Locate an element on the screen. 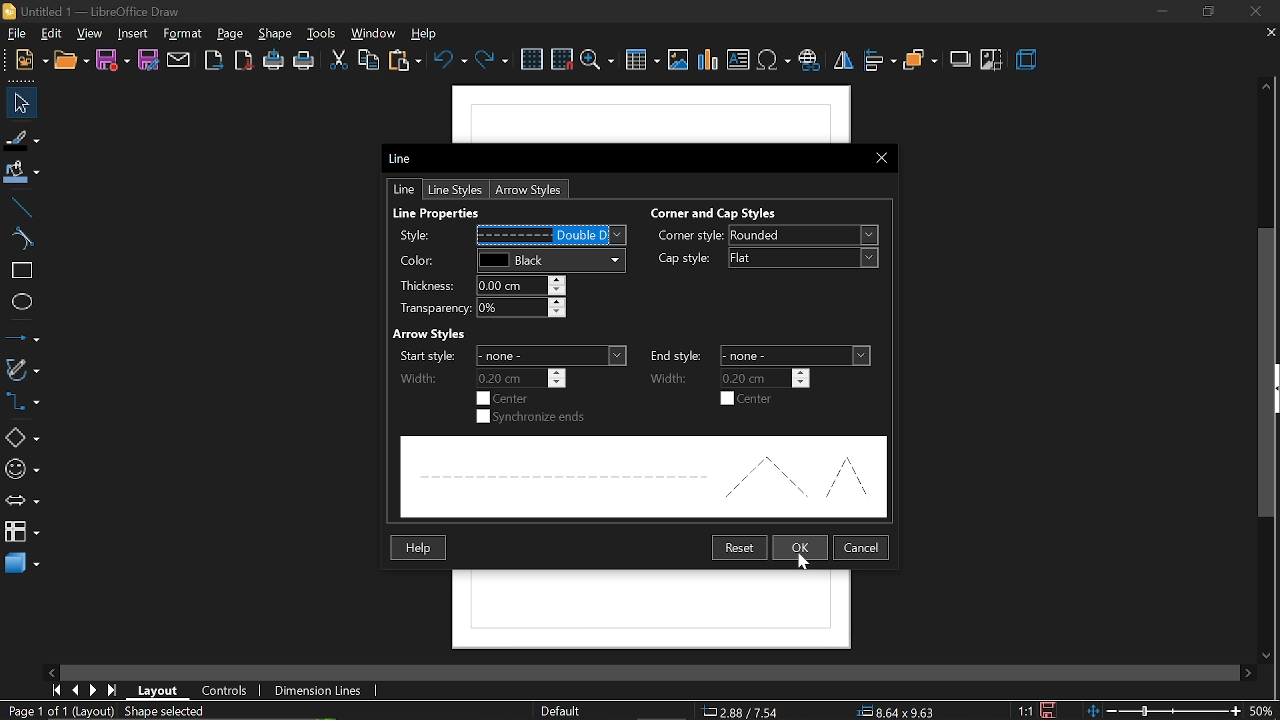  view is located at coordinates (88, 34).